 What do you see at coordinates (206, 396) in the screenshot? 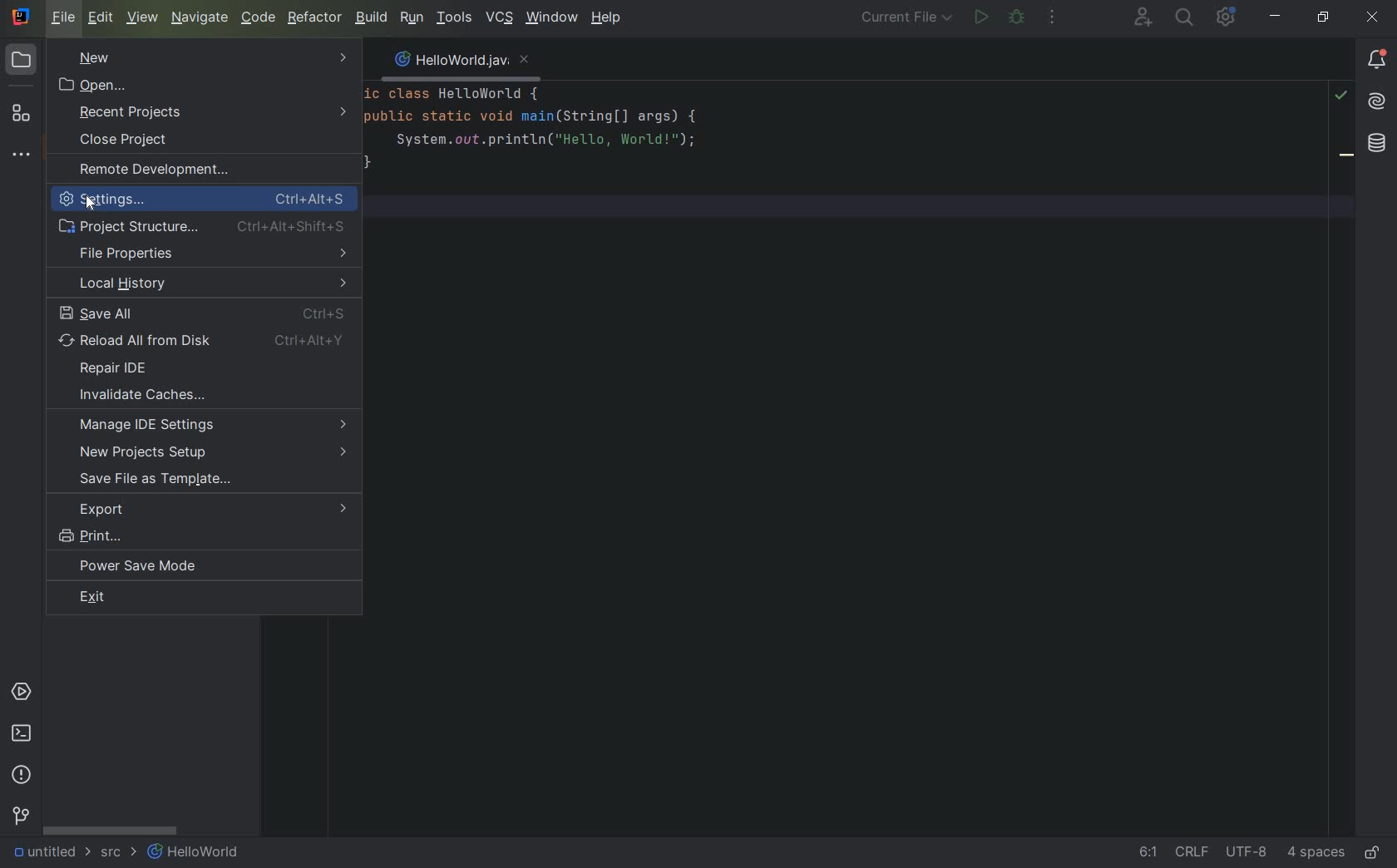
I see `invalidate catches` at bounding box center [206, 396].